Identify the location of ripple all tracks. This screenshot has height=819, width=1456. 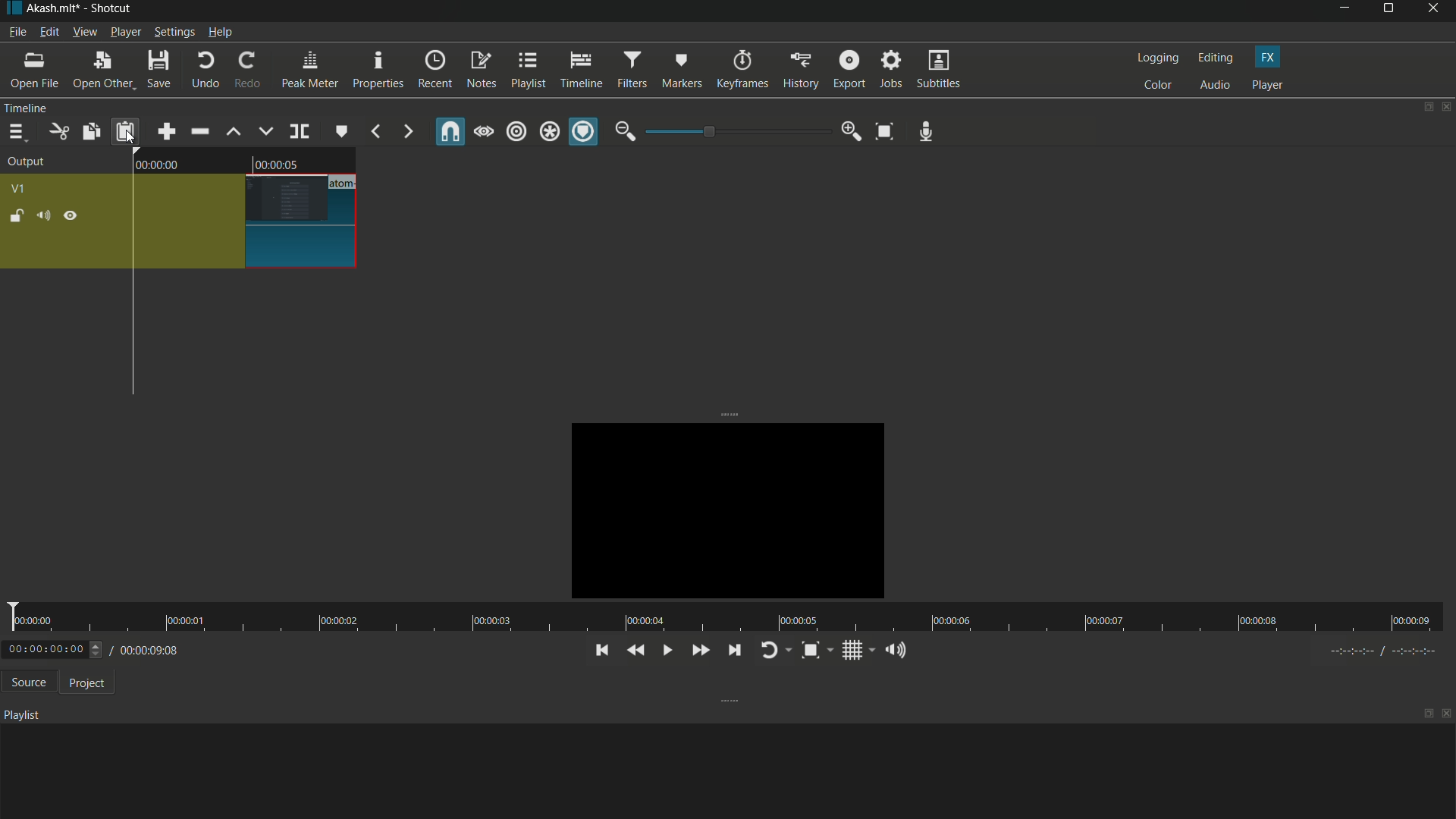
(549, 133).